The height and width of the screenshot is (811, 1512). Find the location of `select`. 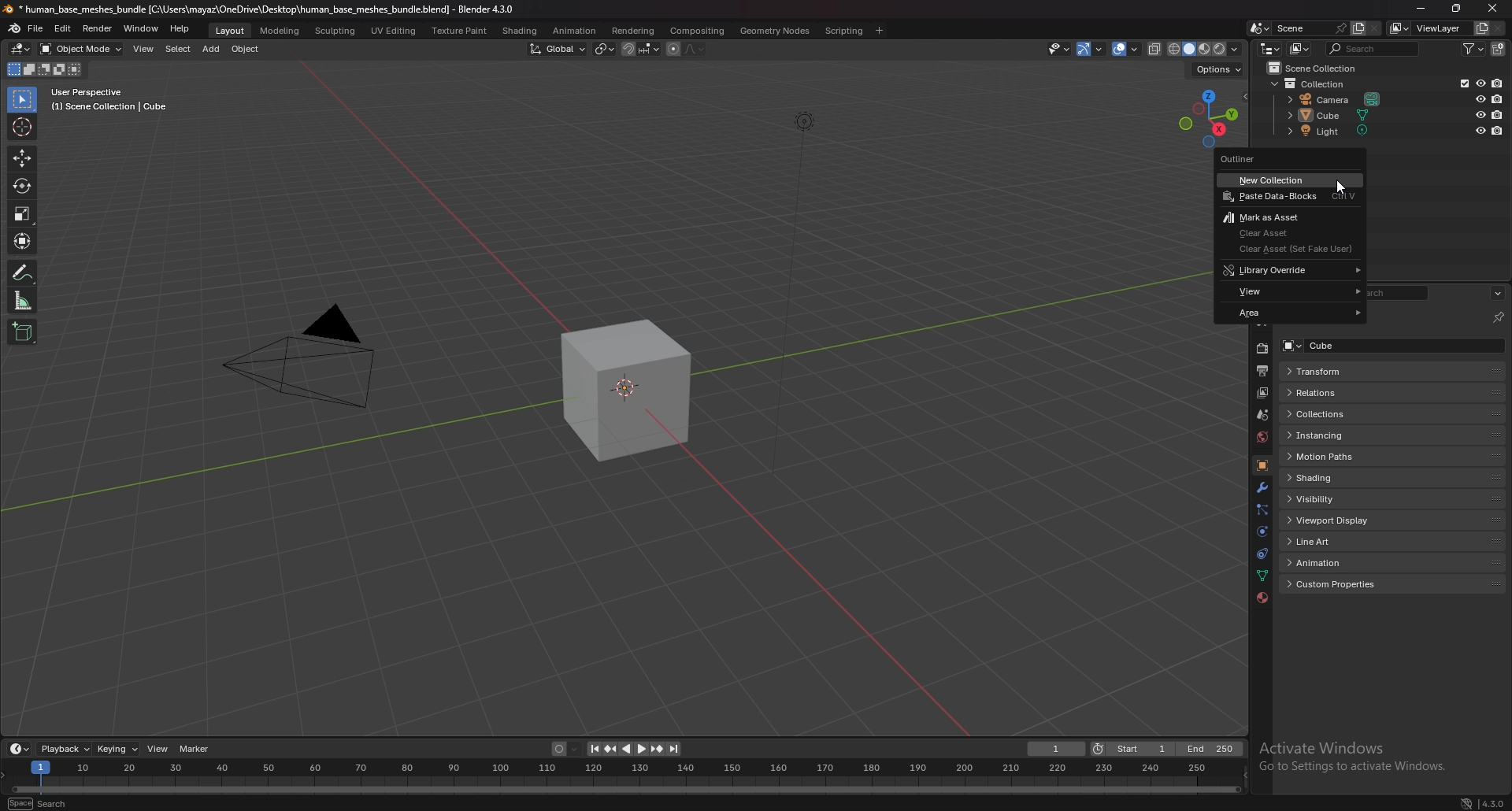

select is located at coordinates (178, 49).